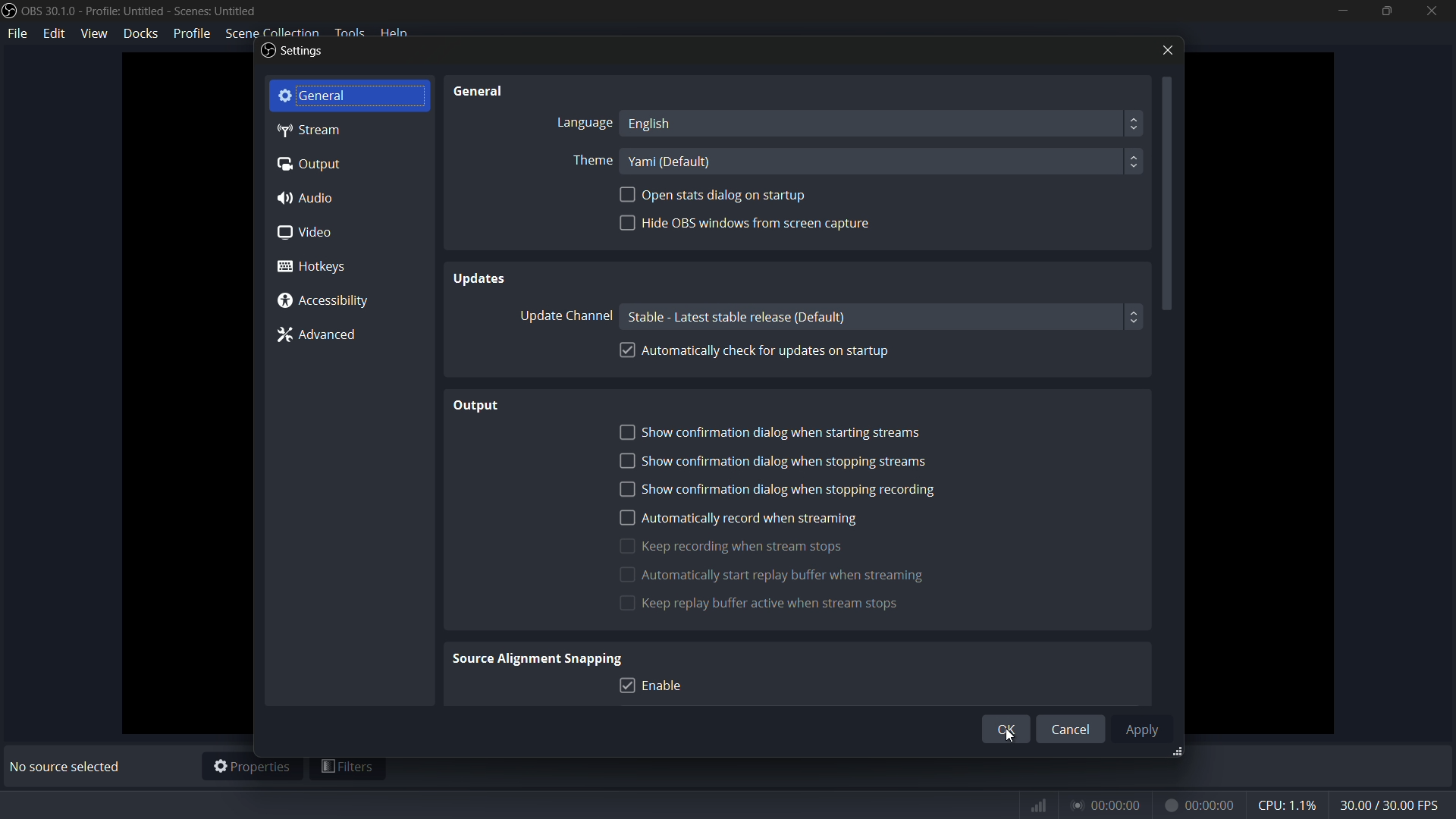 This screenshot has height=819, width=1456. I want to click on Keep recording when stream stops, so click(740, 545).